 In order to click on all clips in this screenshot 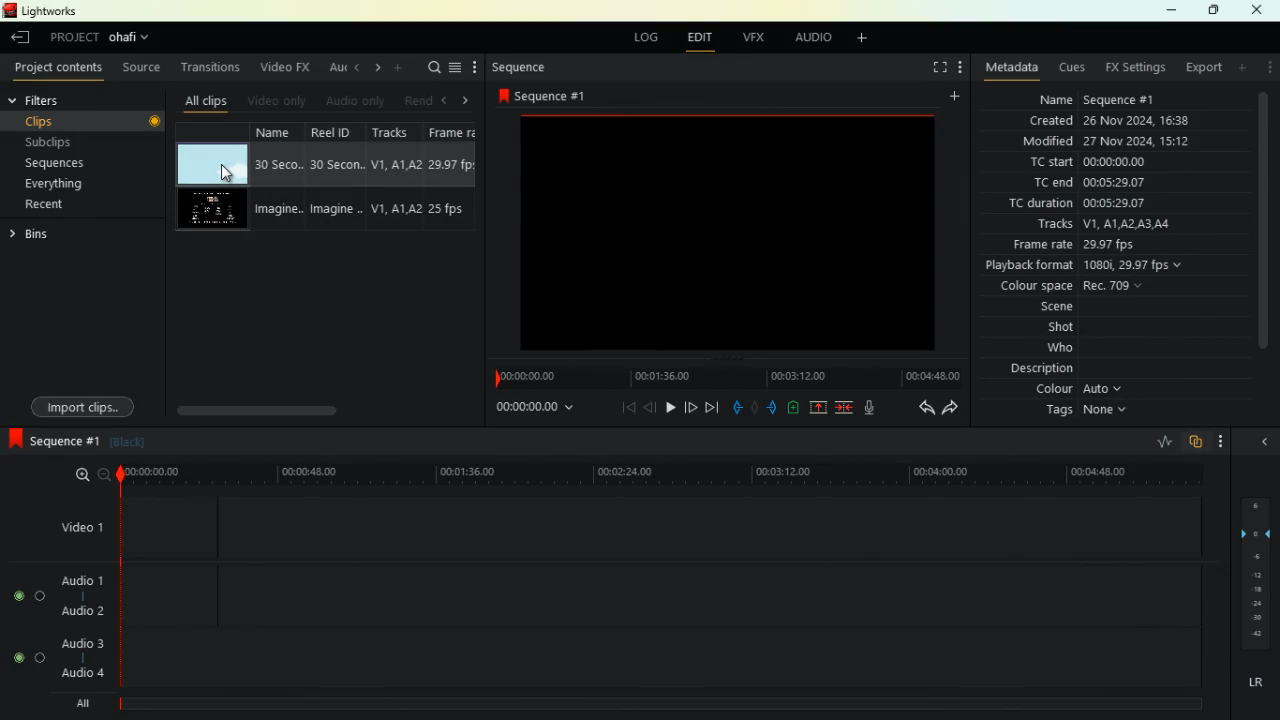, I will do `click(206, 100)`.